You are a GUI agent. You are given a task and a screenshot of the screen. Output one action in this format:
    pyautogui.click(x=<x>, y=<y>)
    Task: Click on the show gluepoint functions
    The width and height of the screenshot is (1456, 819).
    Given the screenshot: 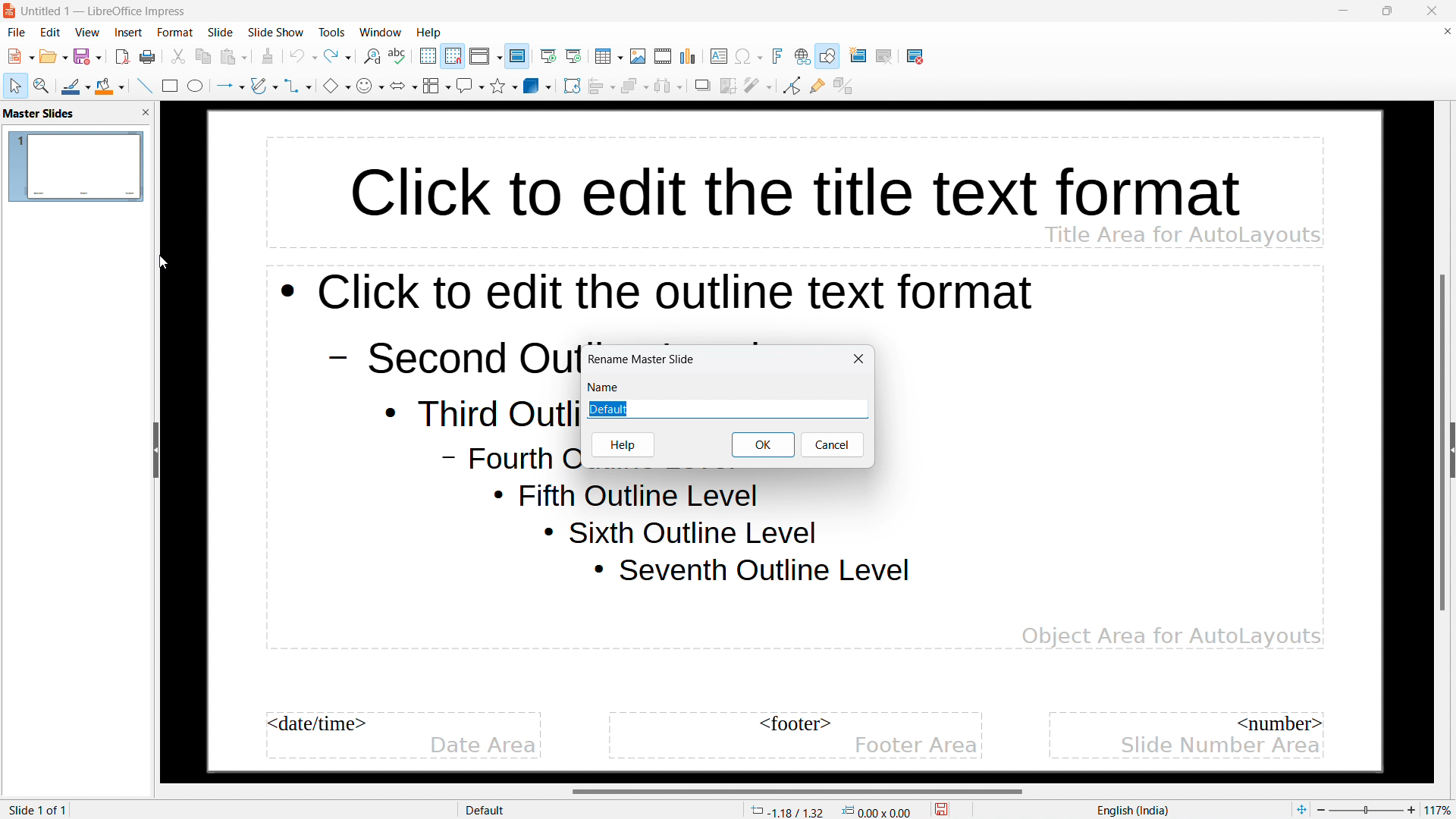 What is the action you would take?
    pyautogui.click(x=817, y=86)
    